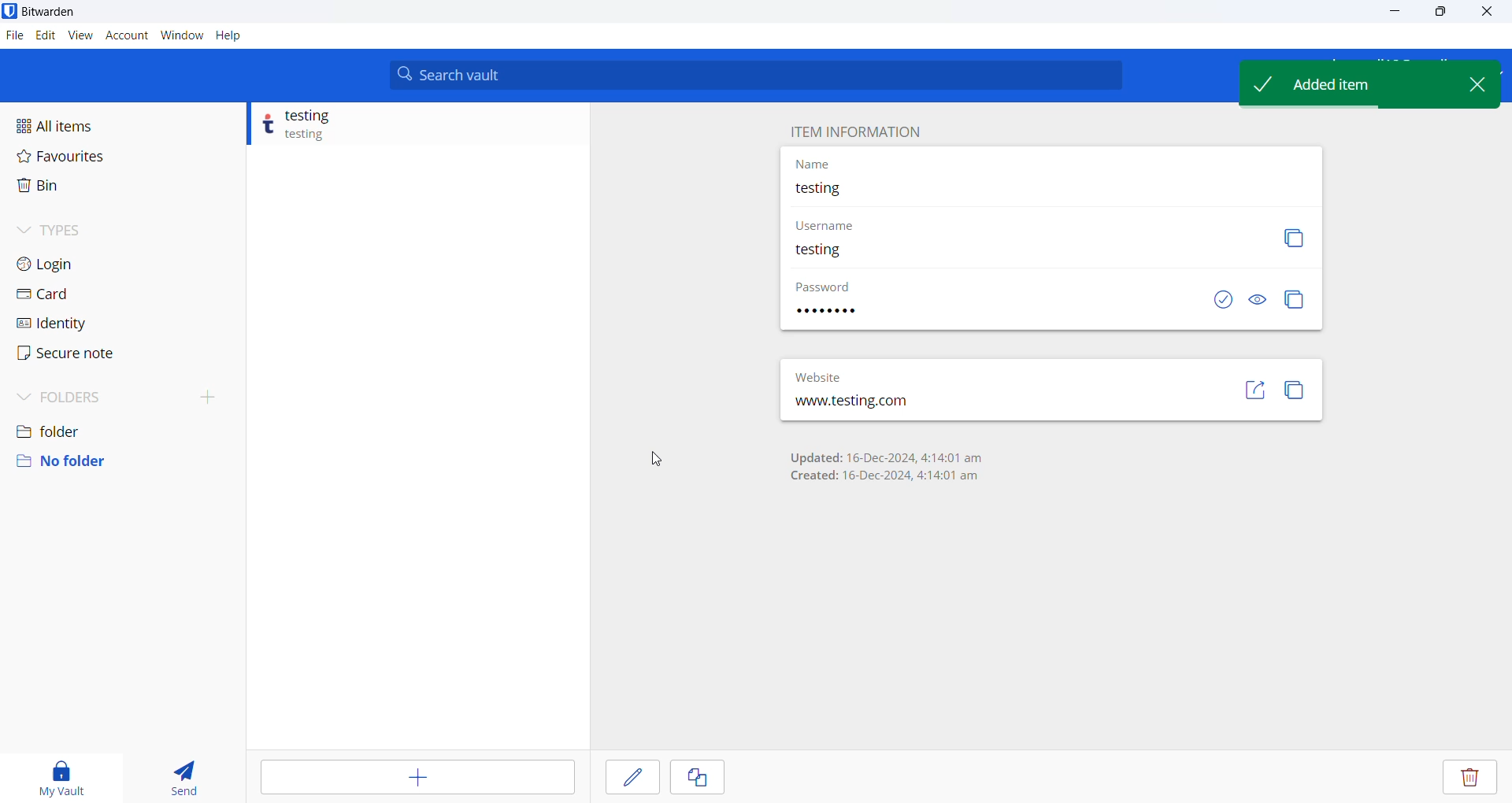  Describe the element at coordinates (13, 37) in the screenshot. I see `file` at that location.